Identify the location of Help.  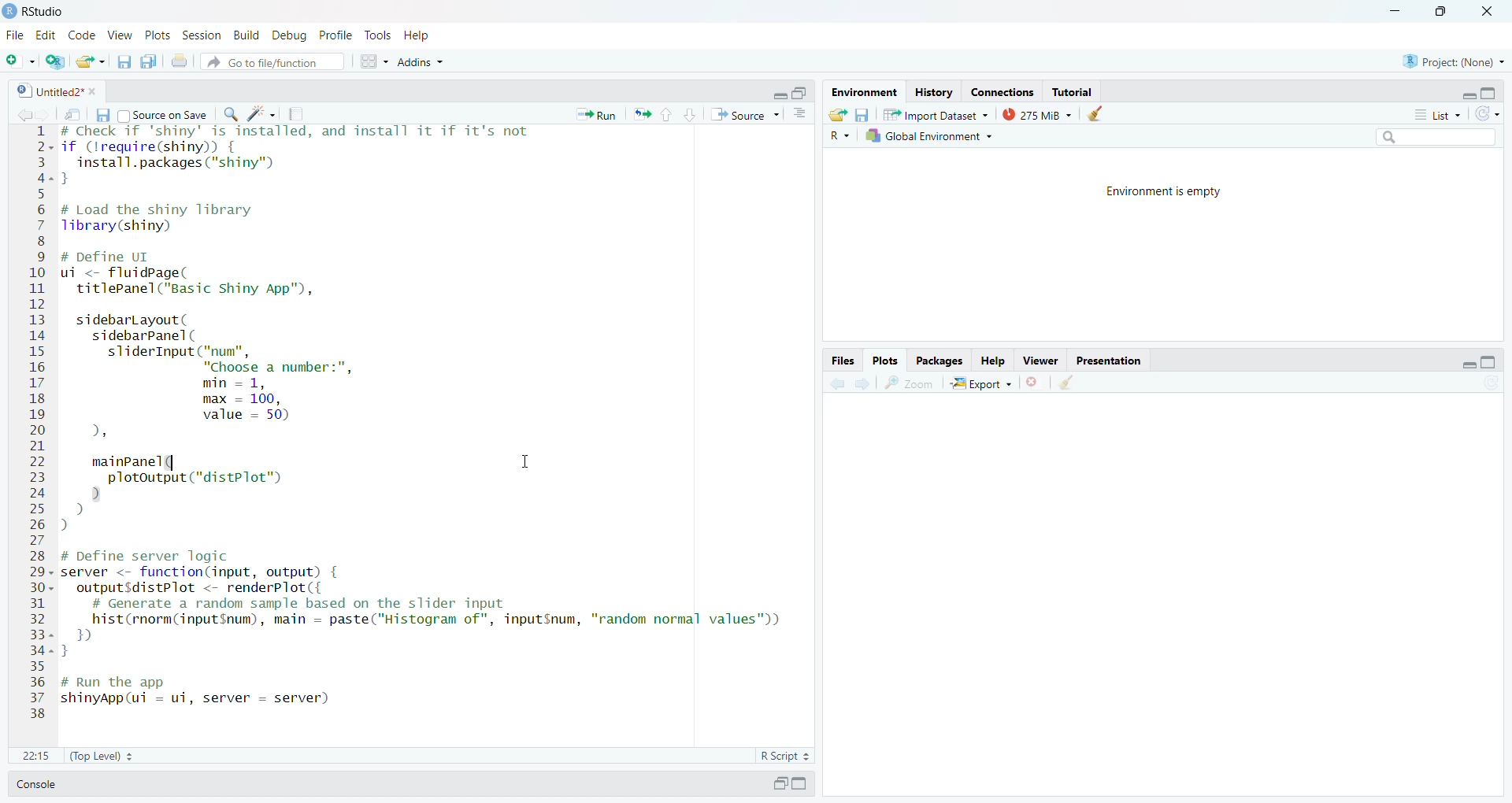
(992, 361).